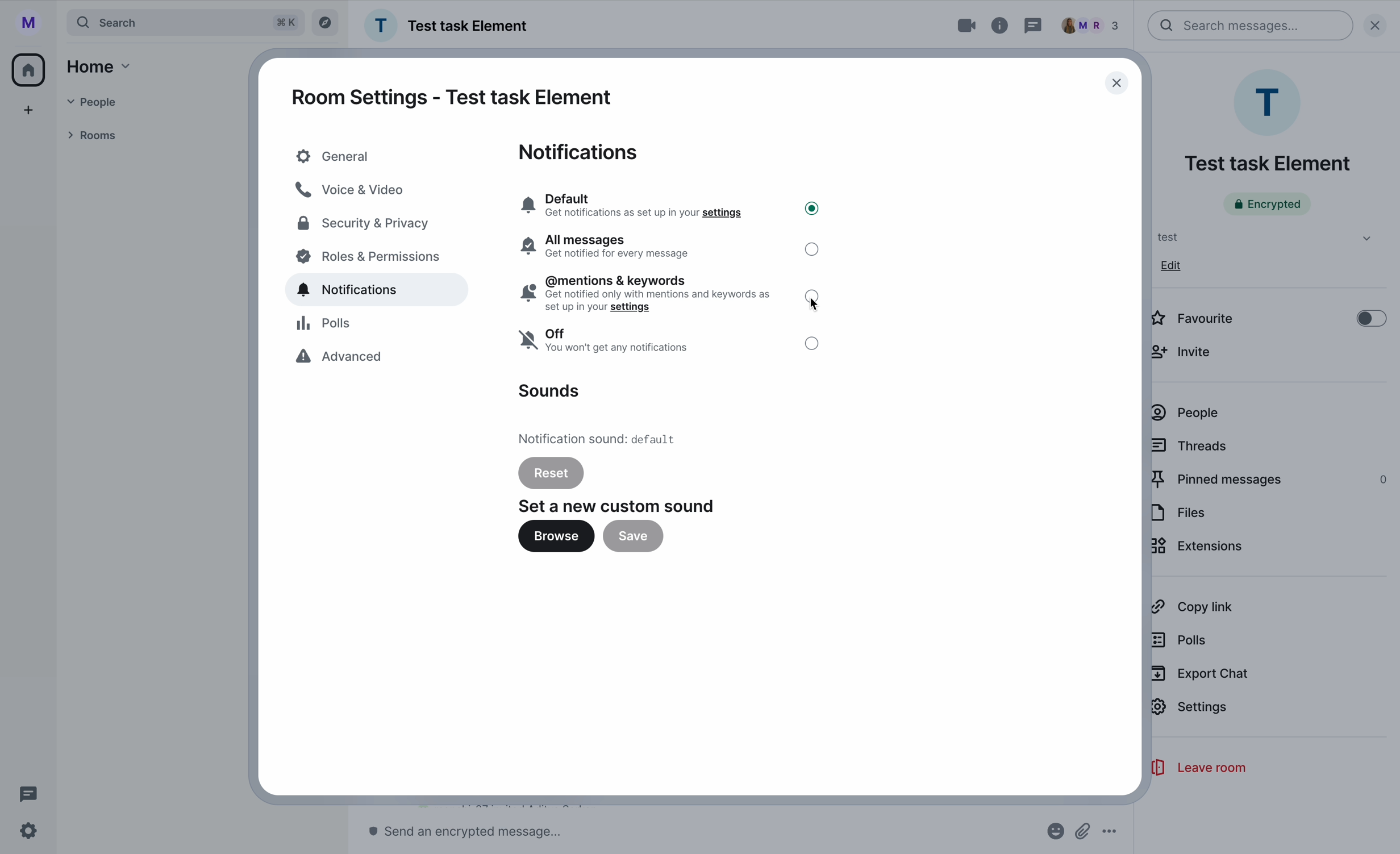  Describe the element at coordinates (556, 539) in the screenshot. I see `browse button` at that location.